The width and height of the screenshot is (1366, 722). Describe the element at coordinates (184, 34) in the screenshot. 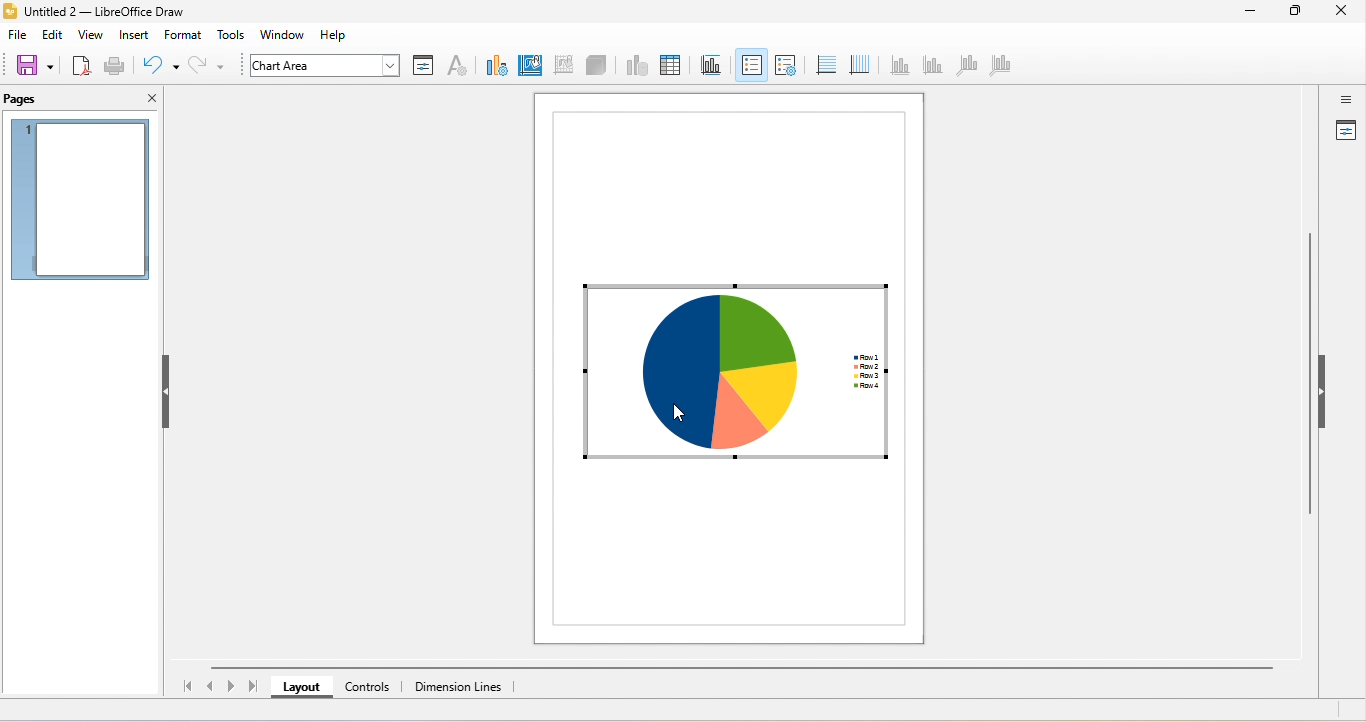

I see `format` at that location.